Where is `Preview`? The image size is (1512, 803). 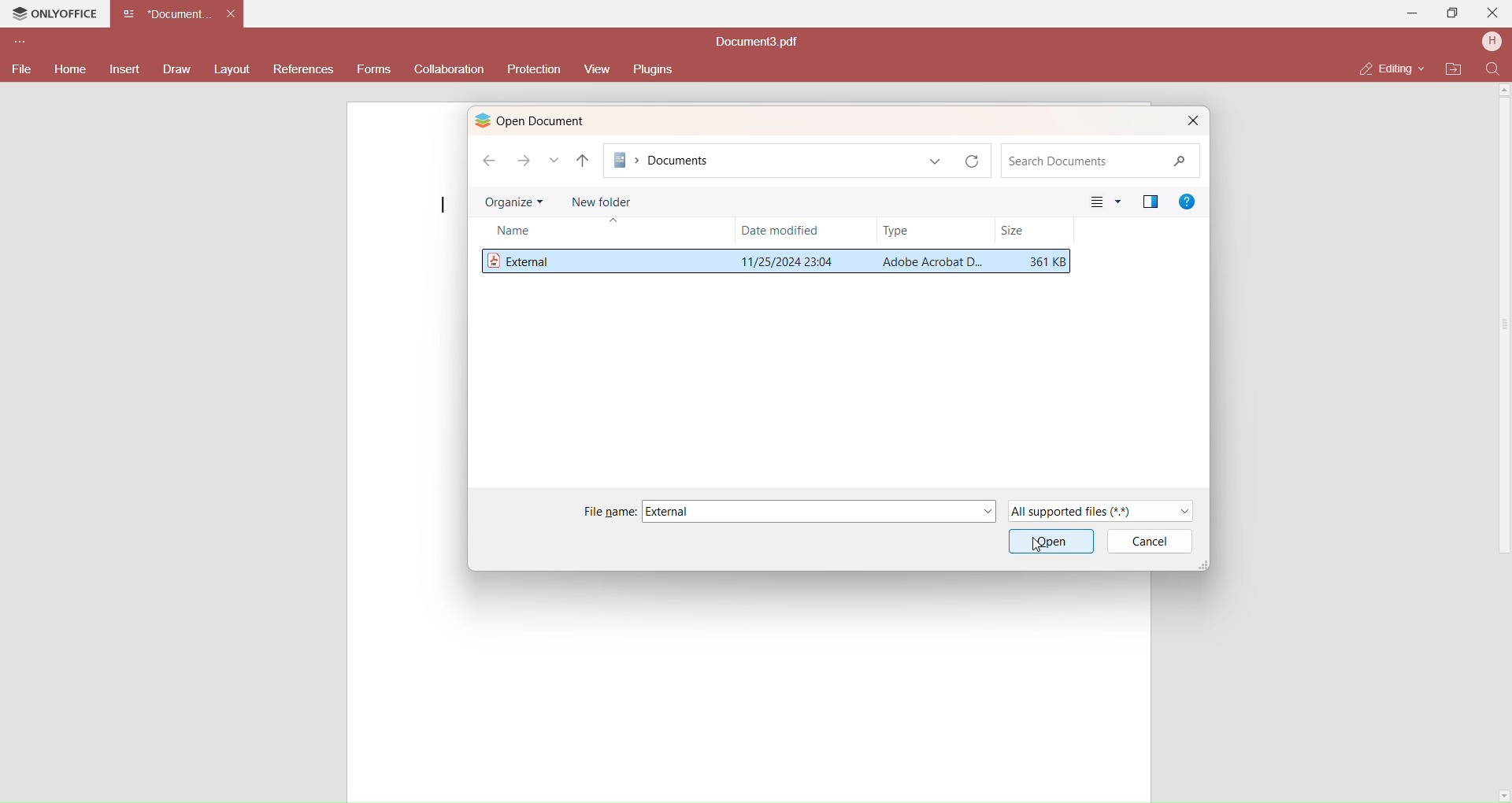 Preview is located at coordinates (1150, 200).